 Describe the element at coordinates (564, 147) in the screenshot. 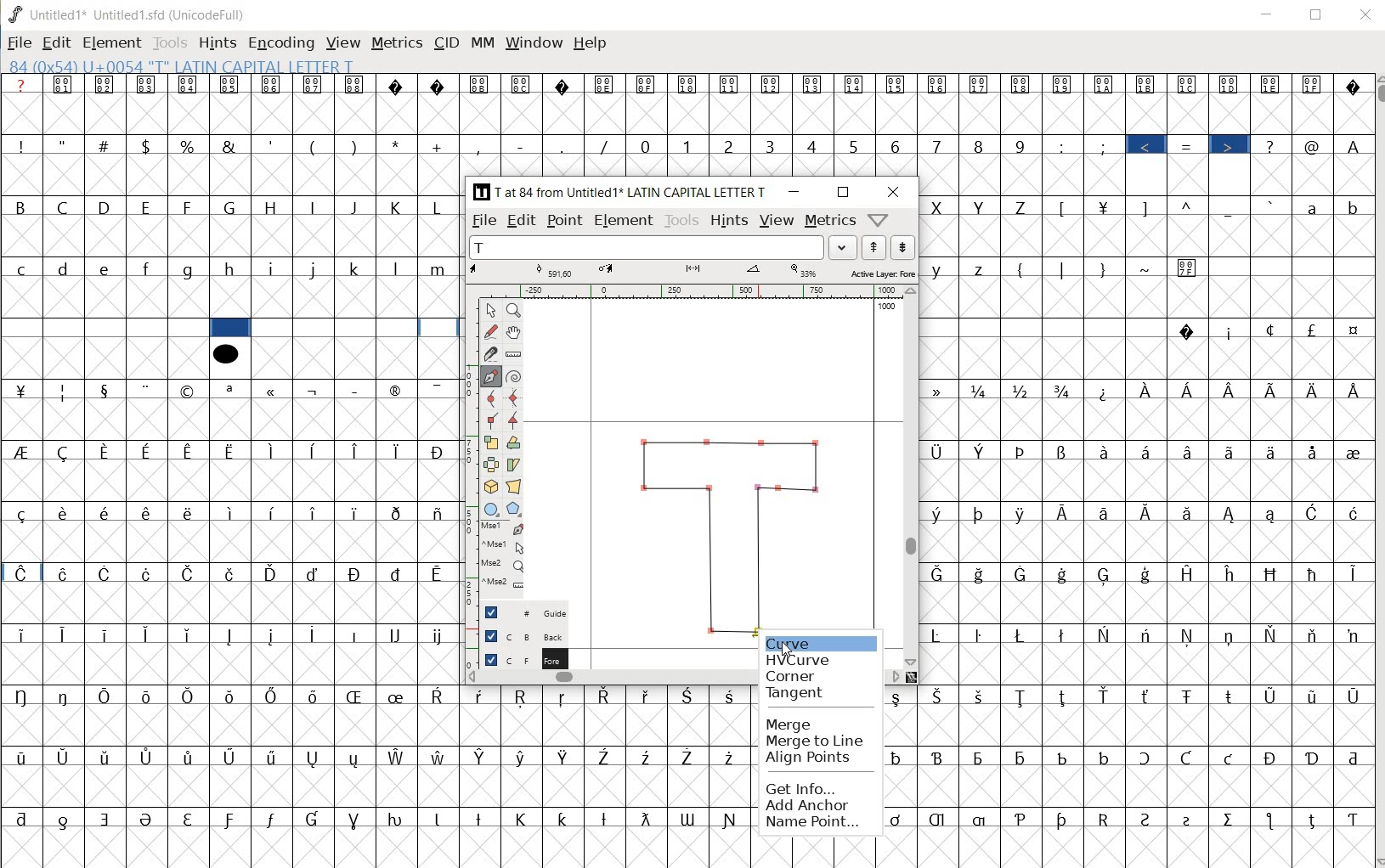

I see `.` at that location.